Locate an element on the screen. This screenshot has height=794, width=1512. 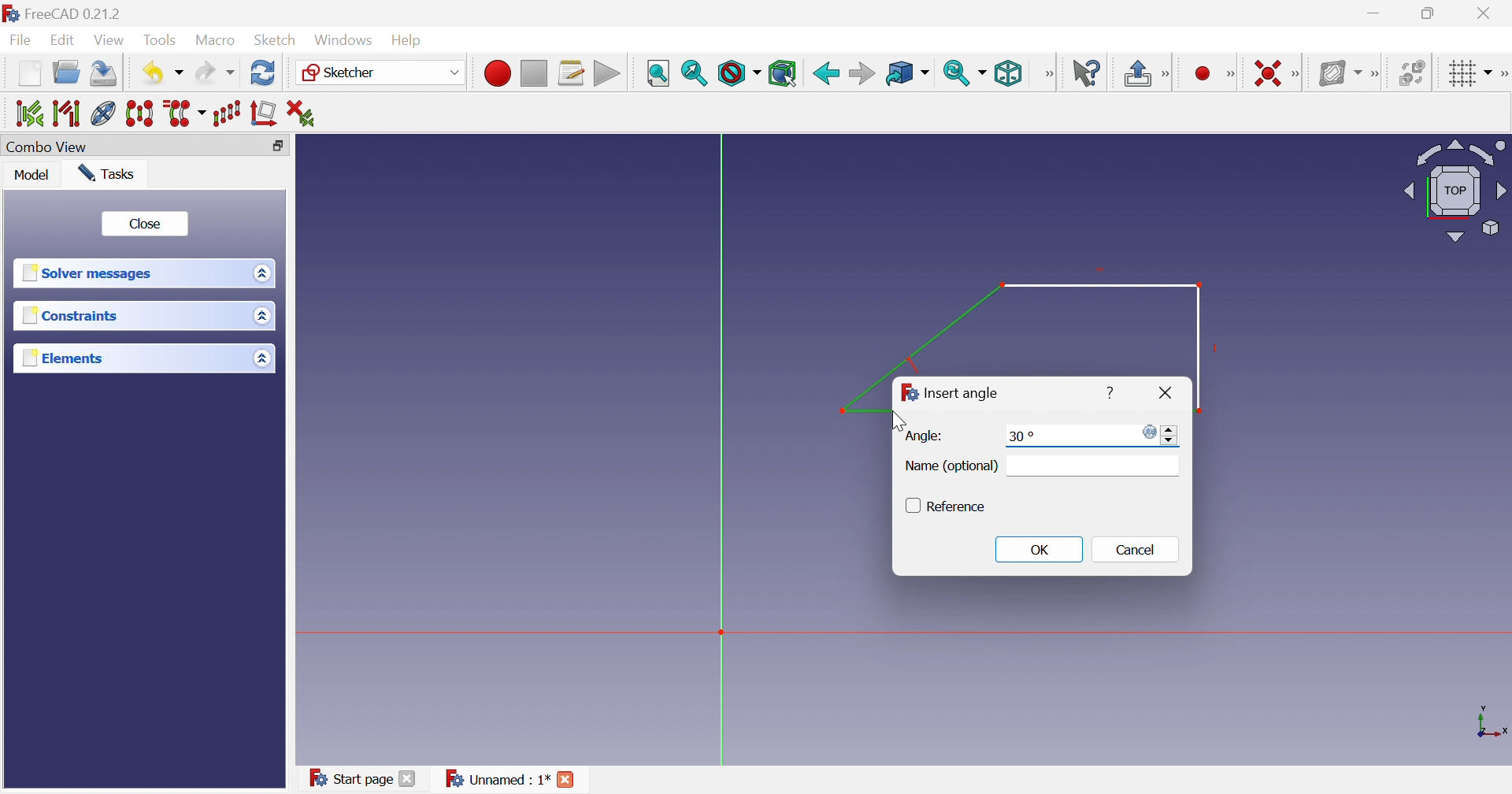
More is located at coordinates (1048, 73).